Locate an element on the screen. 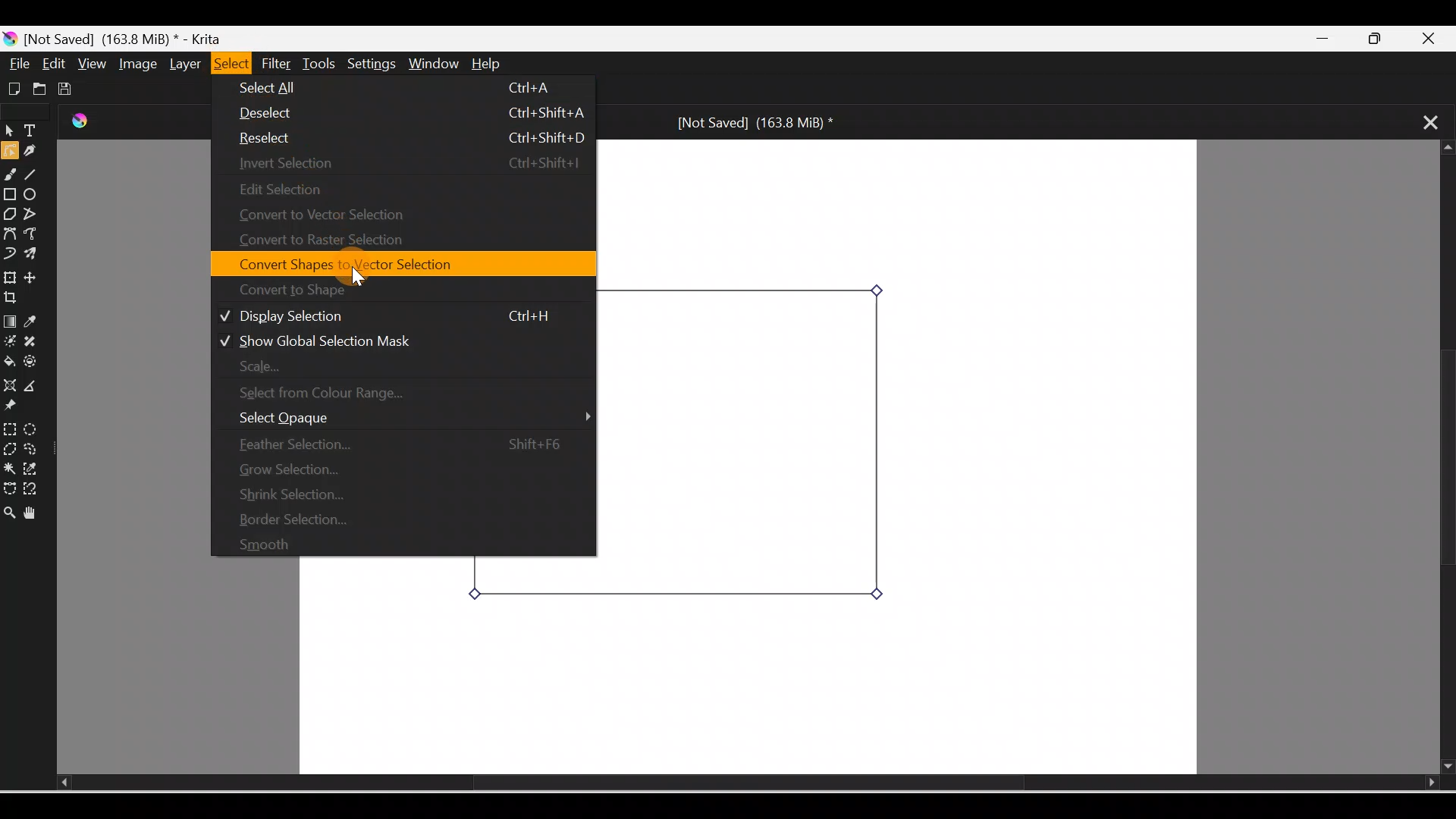  Layer is located at coordinates (182, 64).